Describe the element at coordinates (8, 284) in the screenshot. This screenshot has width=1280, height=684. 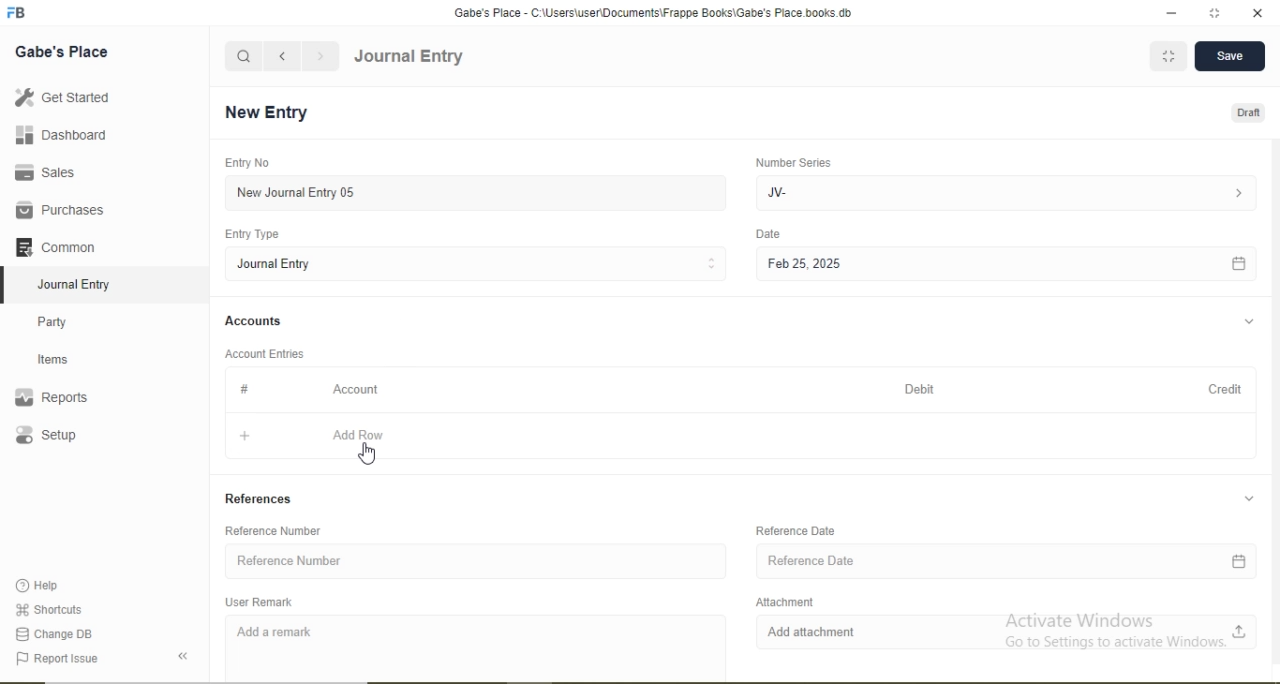
I see `selected` at that location.